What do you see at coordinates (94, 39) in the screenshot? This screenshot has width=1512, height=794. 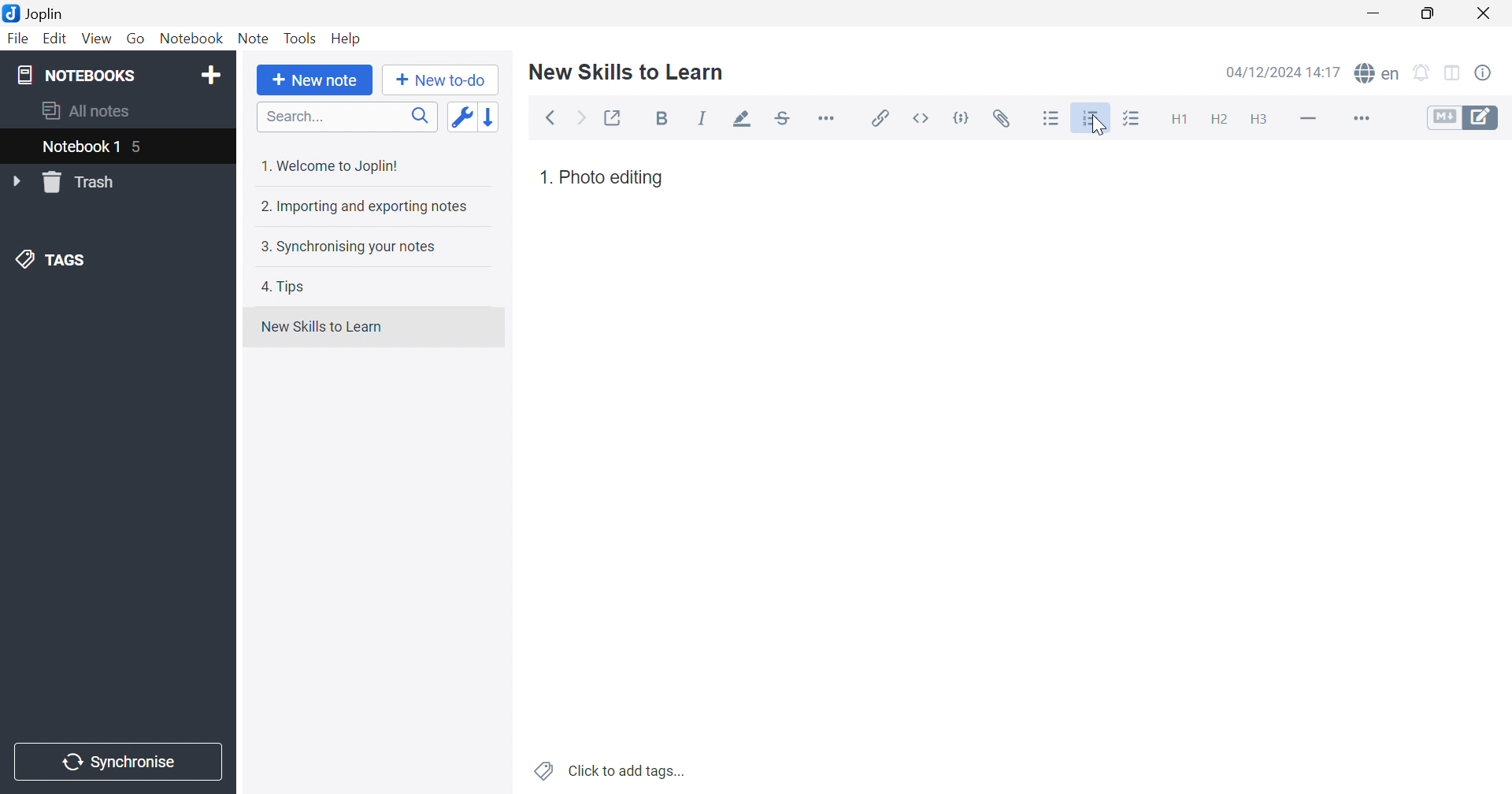 I see `View` at bounding box center [94, 39].